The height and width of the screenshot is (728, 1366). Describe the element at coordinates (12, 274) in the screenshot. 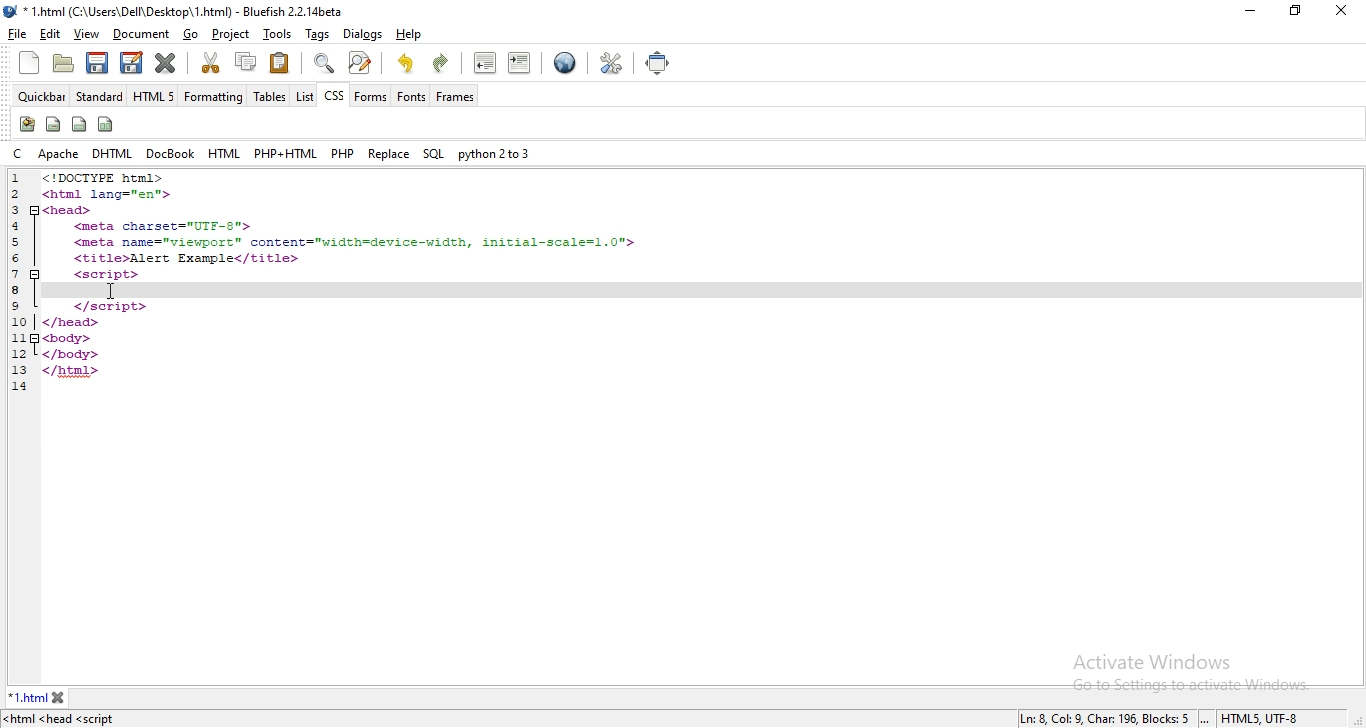

I see `7` at that location.